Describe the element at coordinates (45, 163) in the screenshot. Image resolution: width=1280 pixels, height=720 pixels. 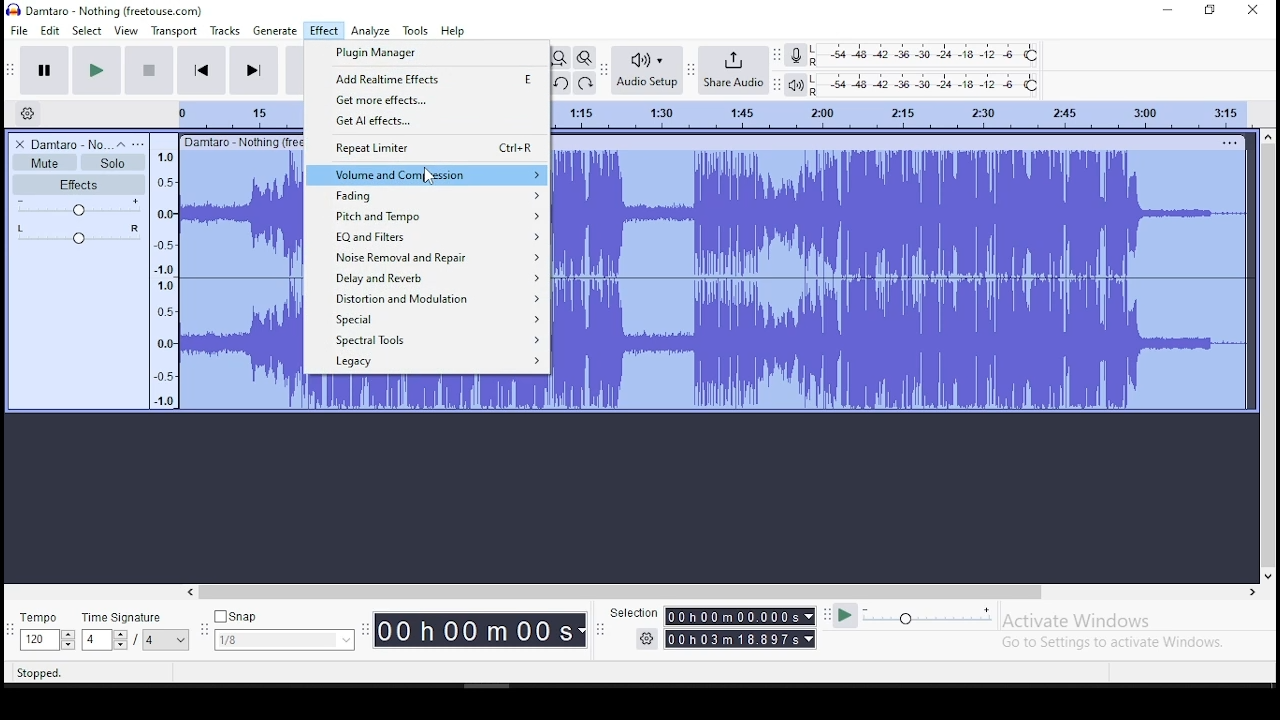
I see `mute` at that location.